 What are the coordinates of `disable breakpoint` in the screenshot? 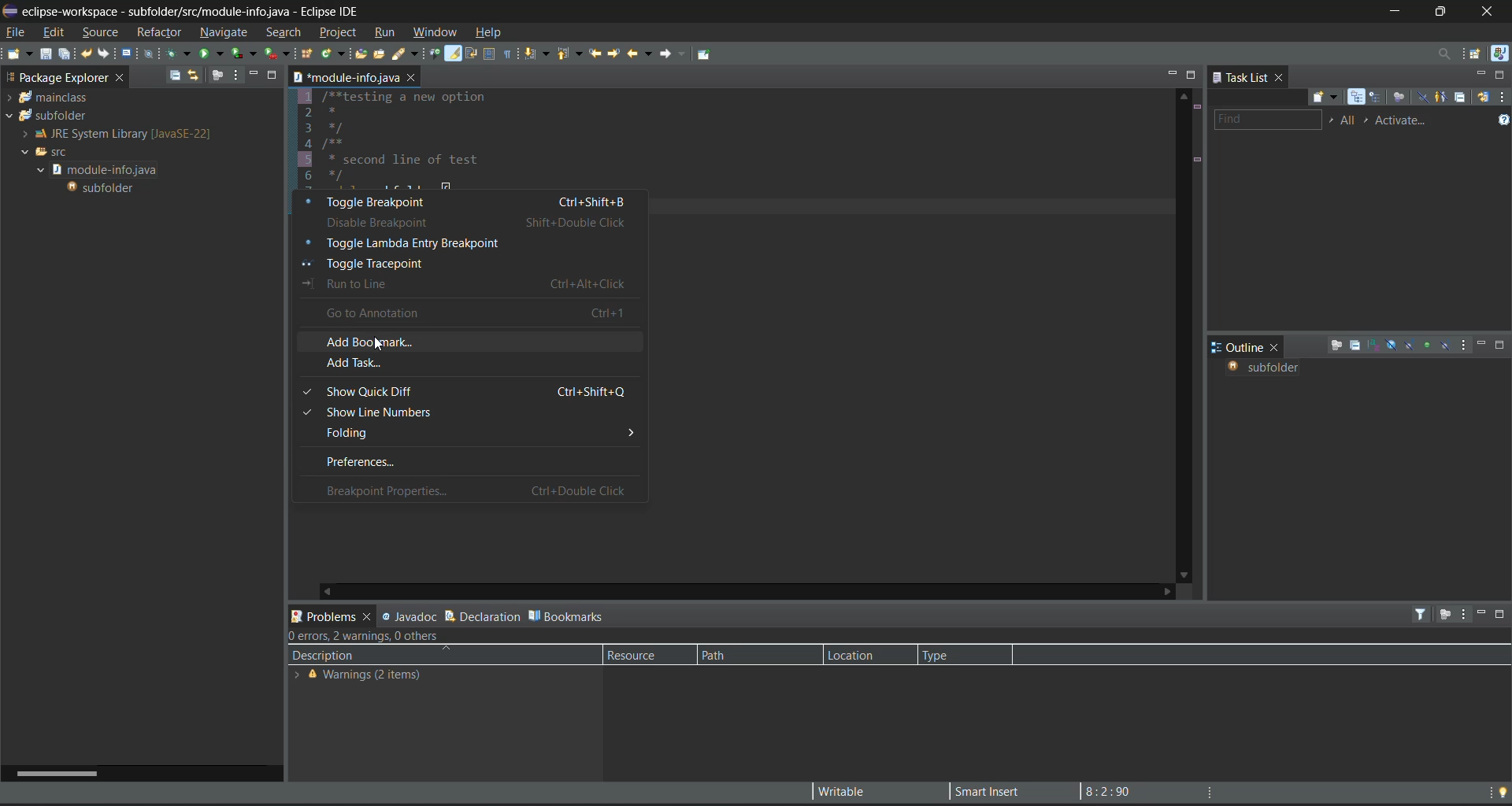 It's located at (474, 221).